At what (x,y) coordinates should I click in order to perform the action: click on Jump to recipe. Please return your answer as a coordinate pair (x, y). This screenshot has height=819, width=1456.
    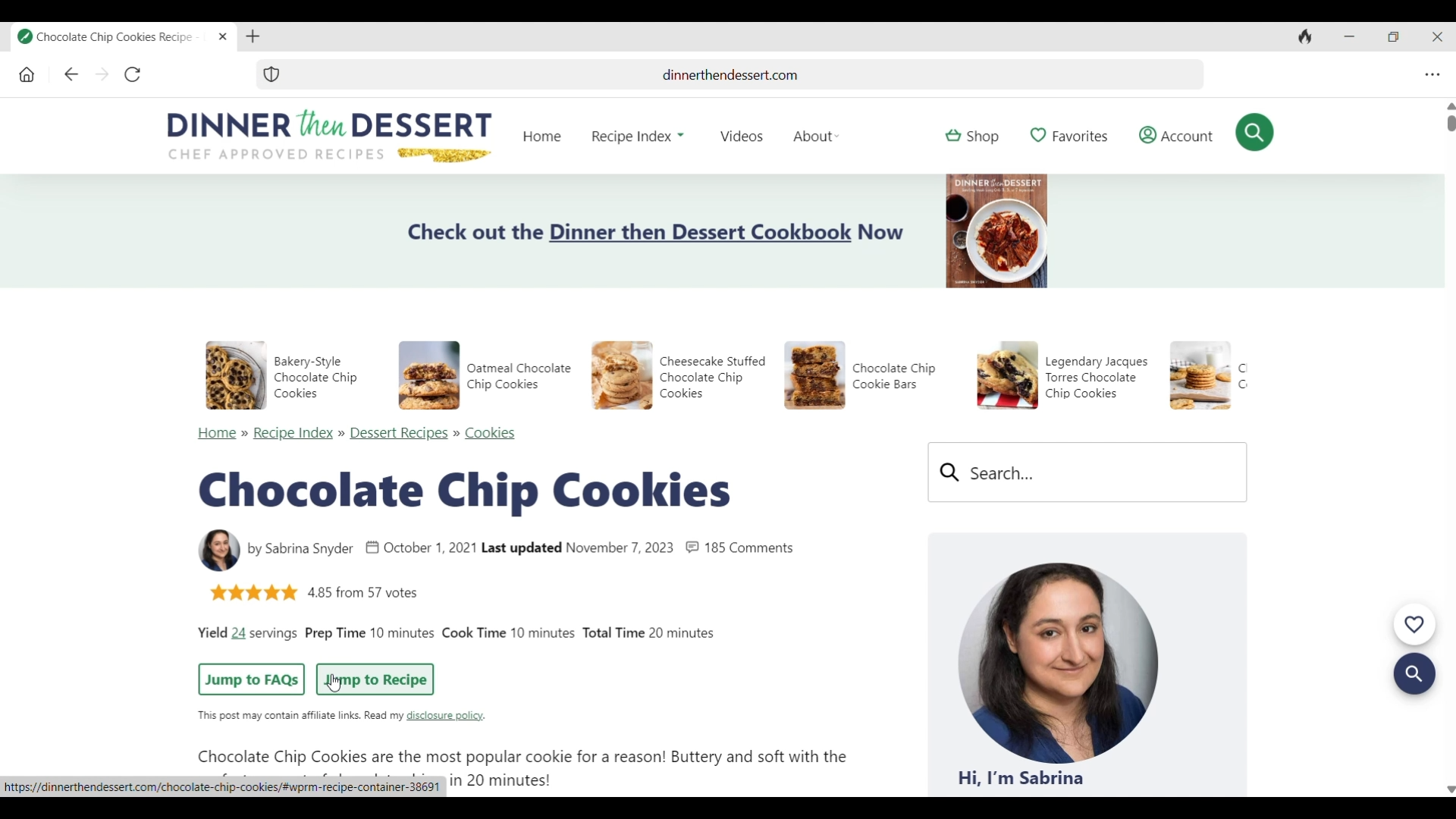
    Looking at the image, I should click on (375, 680).